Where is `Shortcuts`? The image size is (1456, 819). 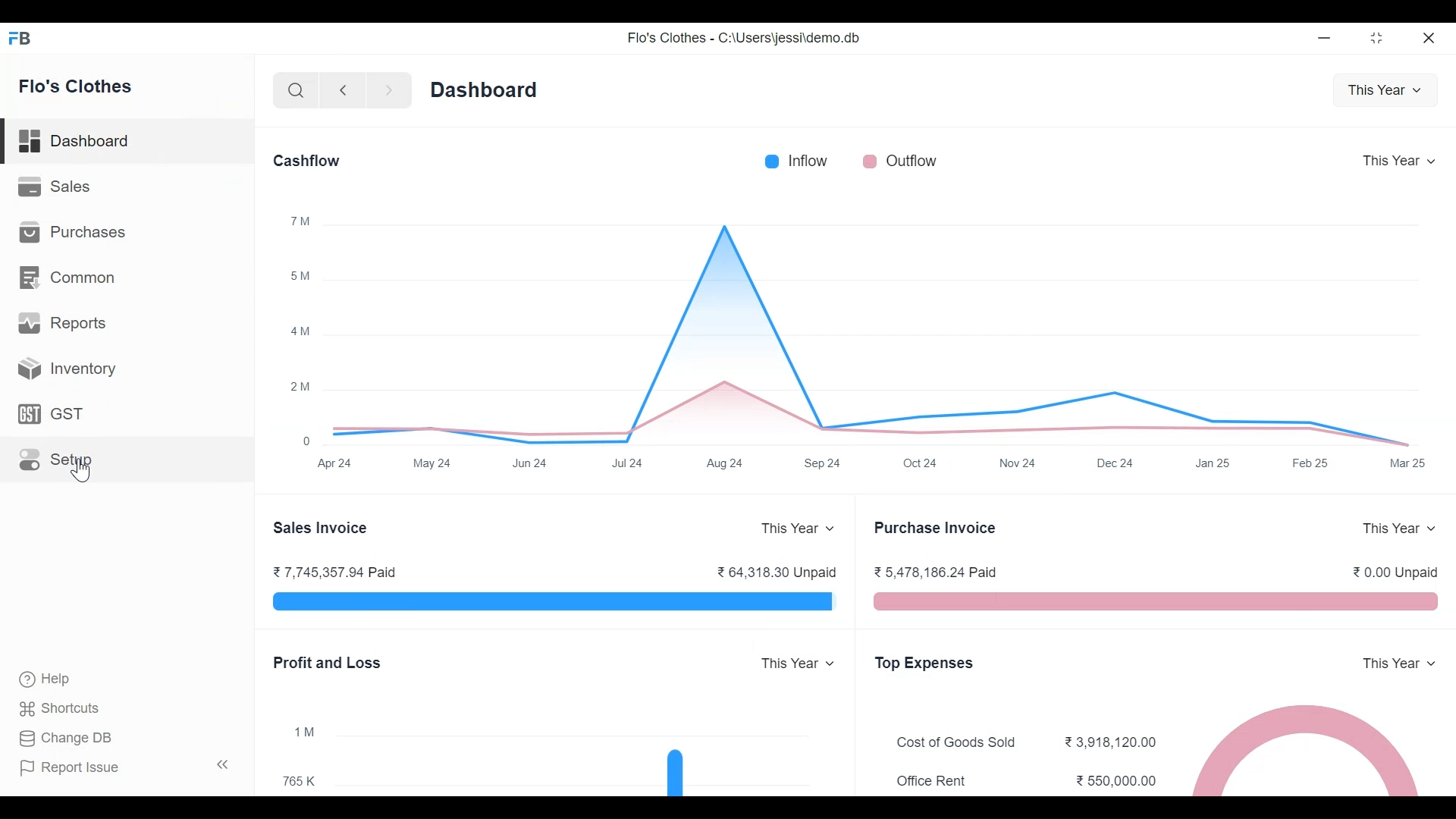 Shortcuts is located at coordinates (73, 711).